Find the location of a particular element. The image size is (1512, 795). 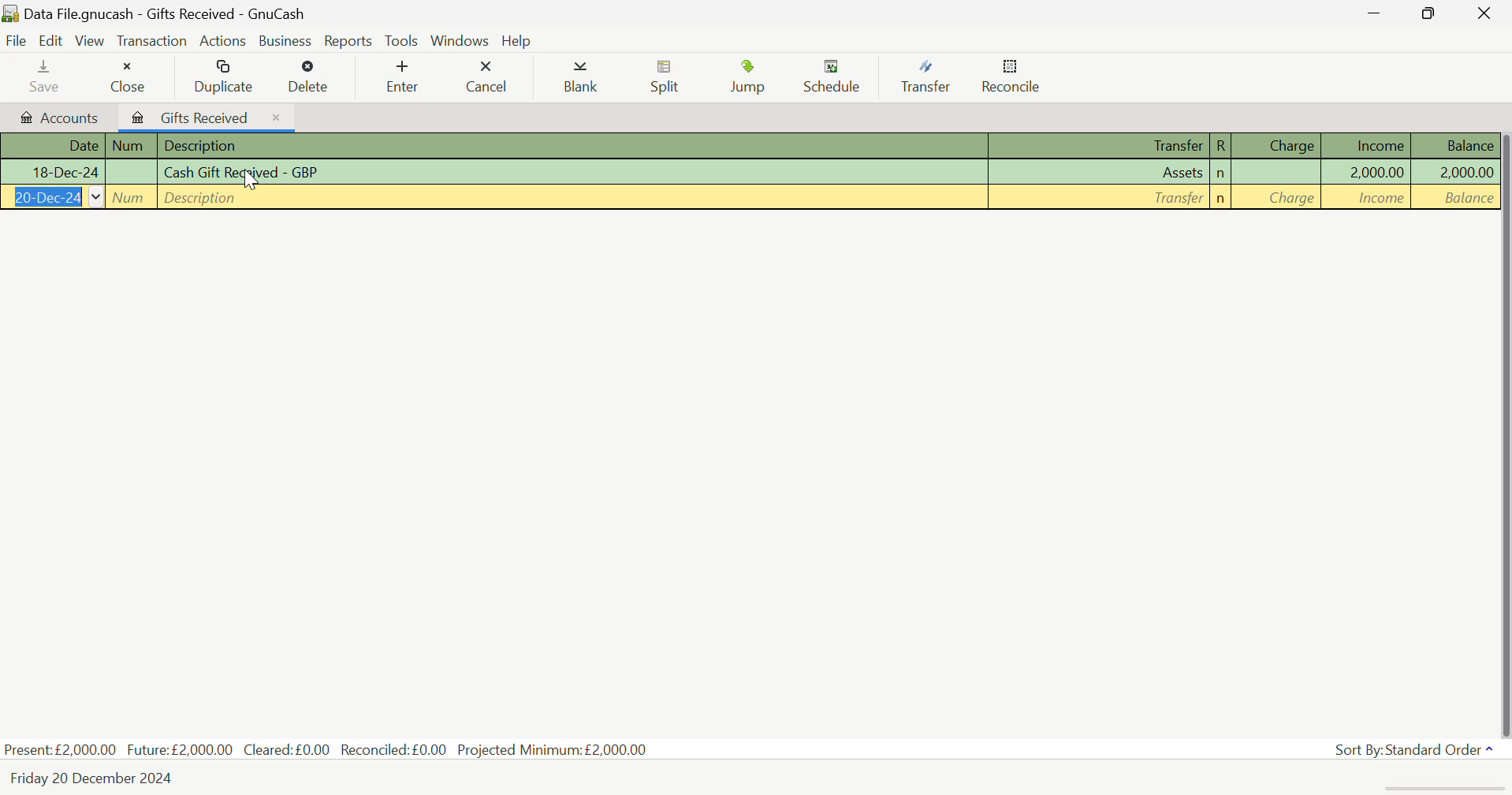

Charge is located at coordinates (1279, 174).